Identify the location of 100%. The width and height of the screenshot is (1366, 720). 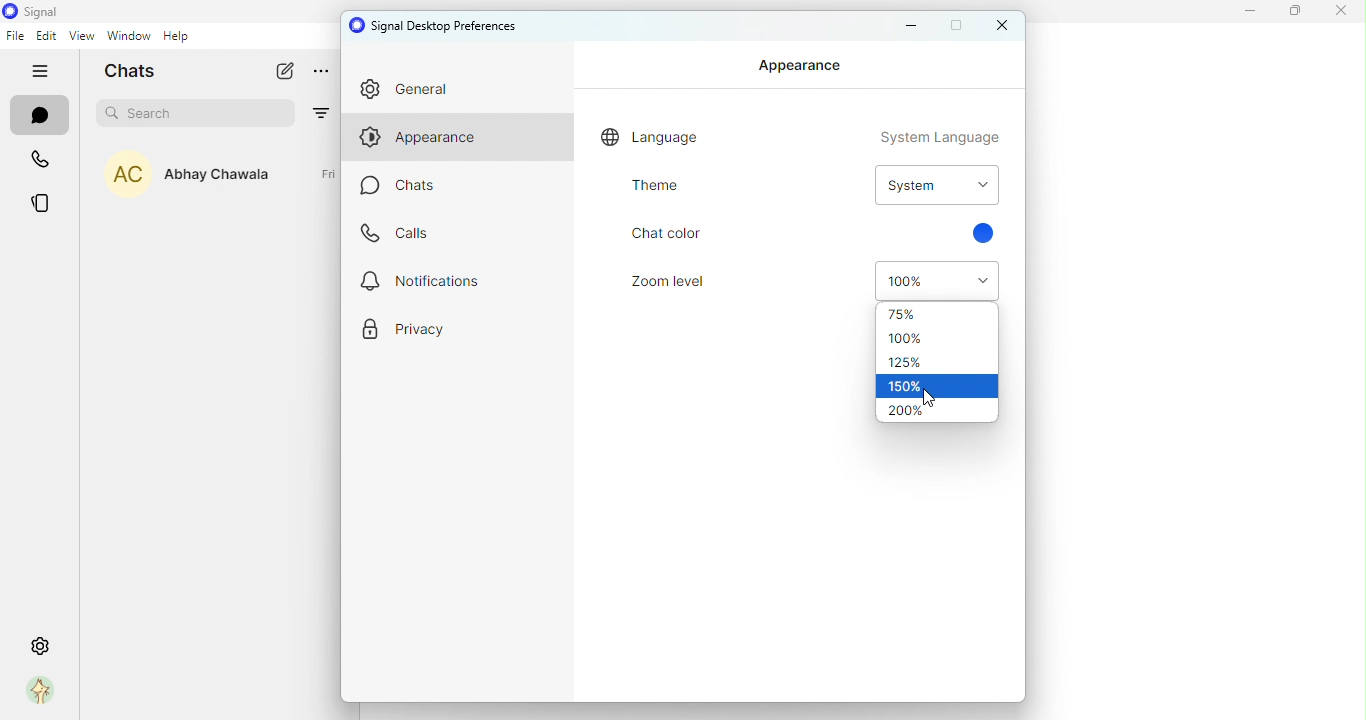
(930, 340).